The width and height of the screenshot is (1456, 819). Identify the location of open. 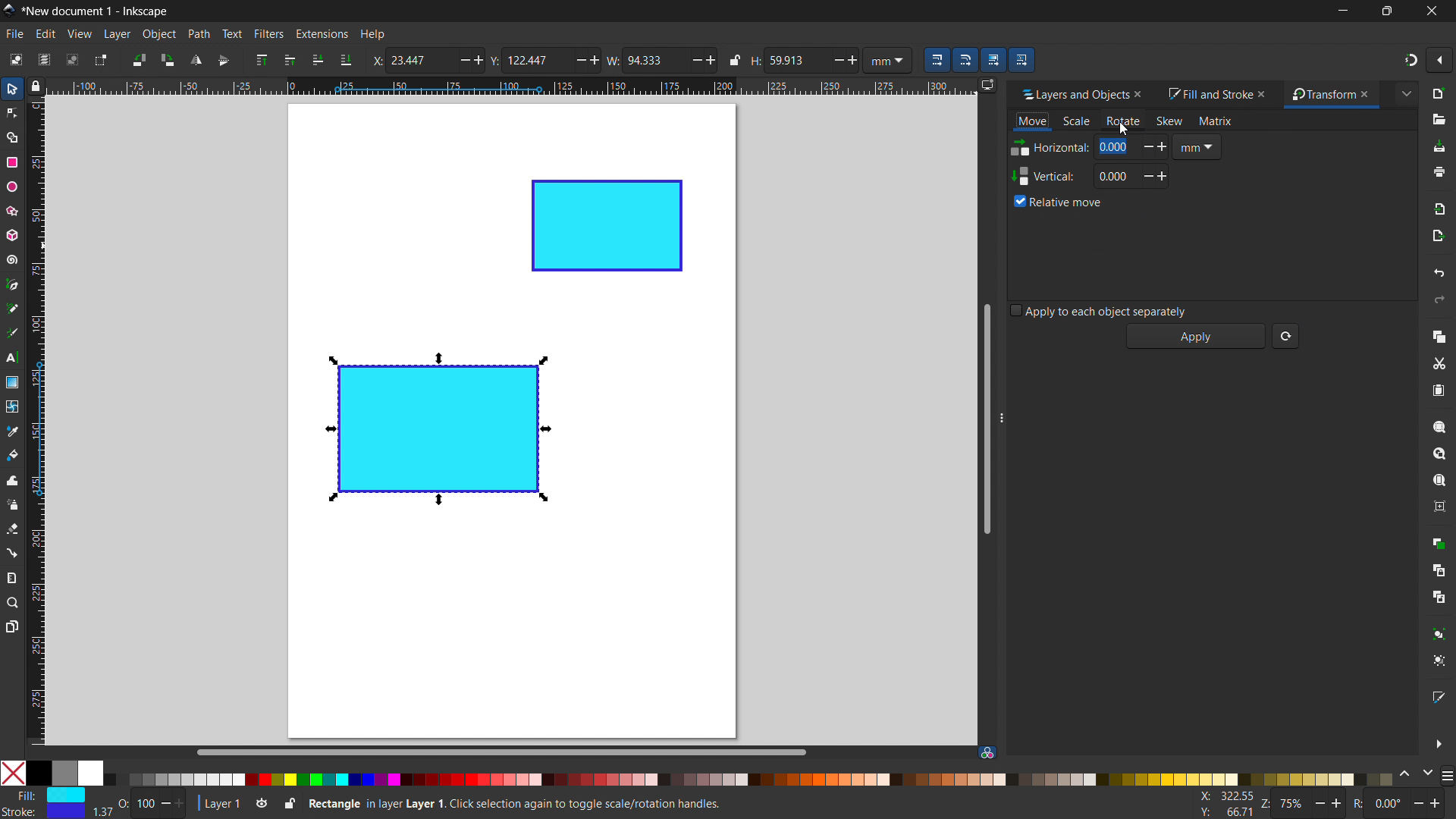
(1439, 120).